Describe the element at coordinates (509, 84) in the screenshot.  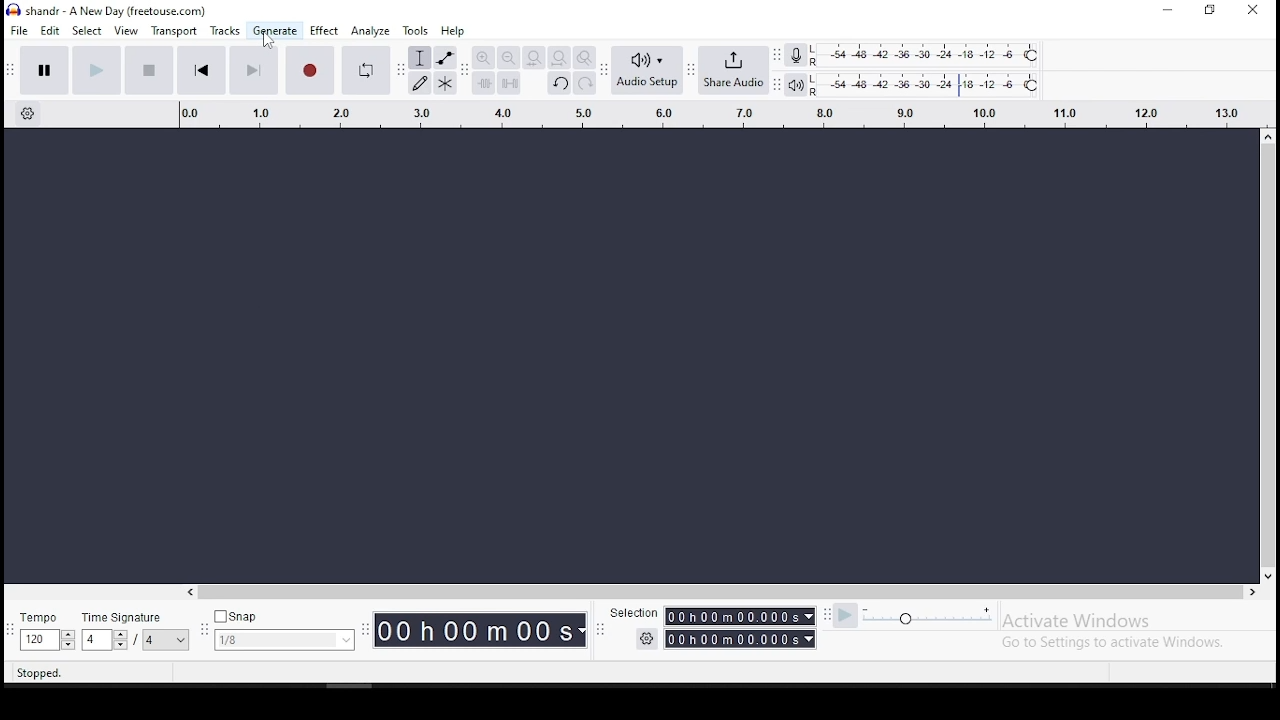
I see `silence audio signal` at that location.